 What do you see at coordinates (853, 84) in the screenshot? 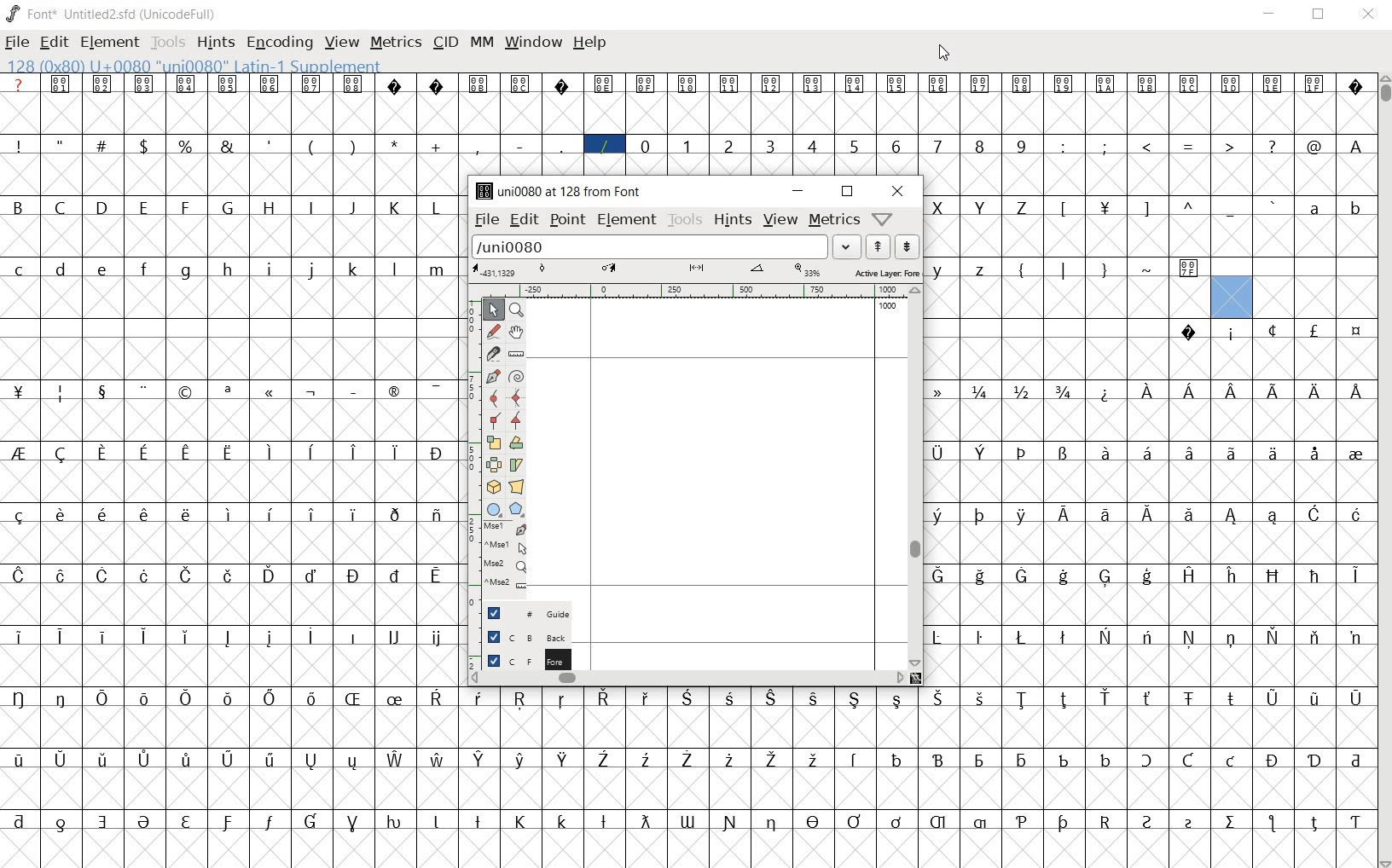
I see `glyph` at bounding box center [853, 84].